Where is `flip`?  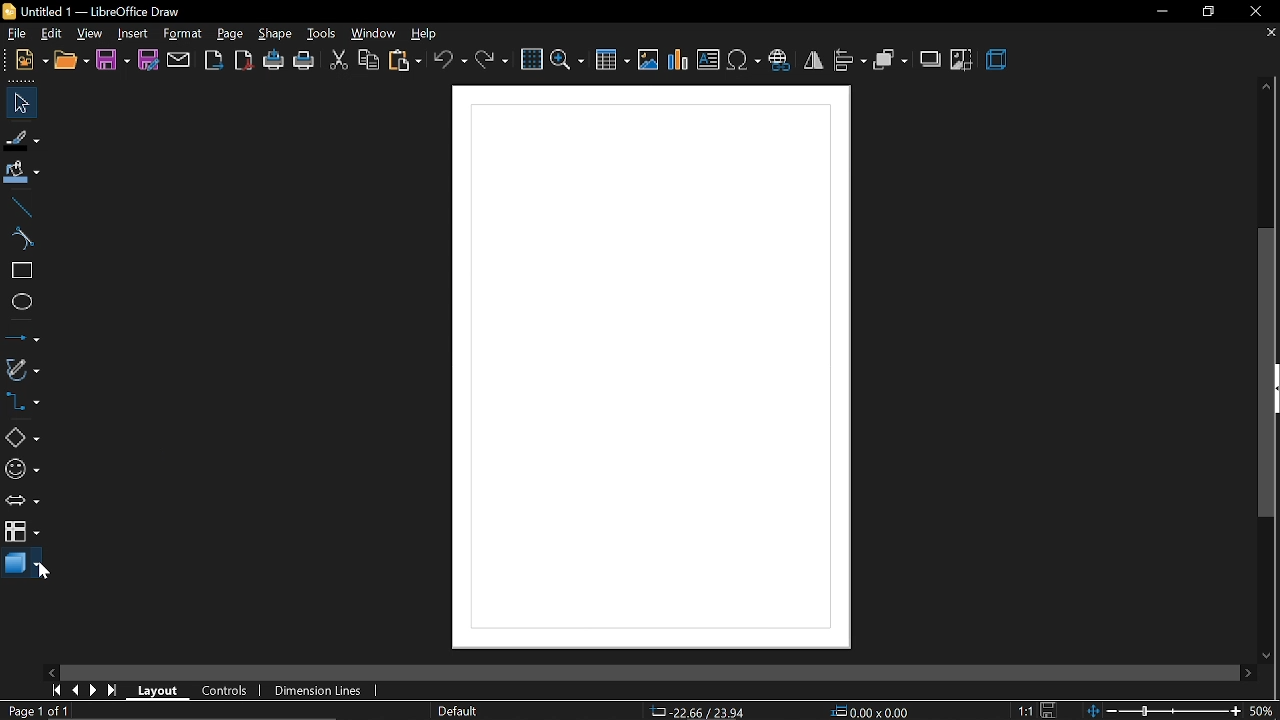
flip is located at coordinates (814, 60).